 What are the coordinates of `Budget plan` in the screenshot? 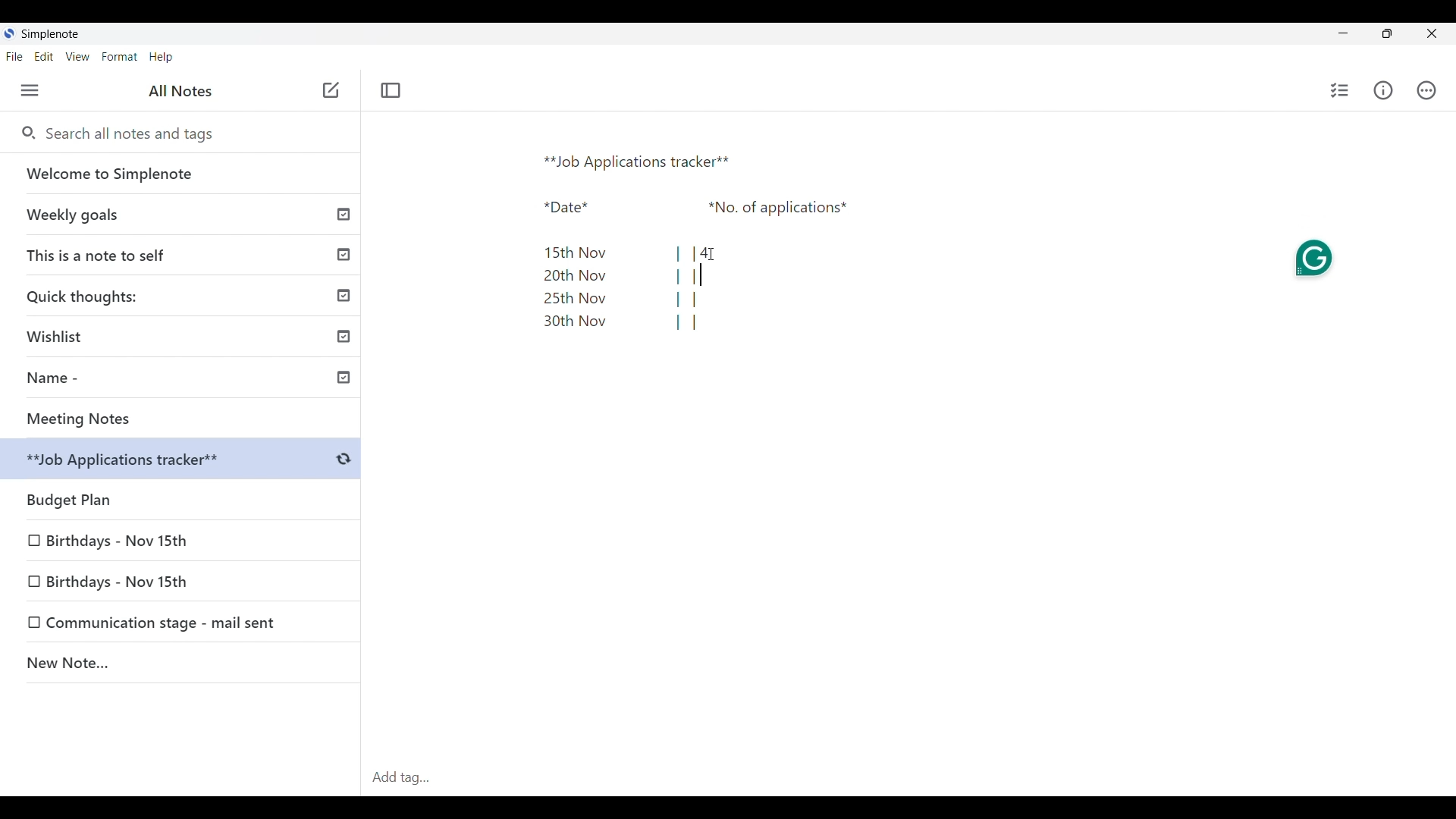 It's located at (182, 496).